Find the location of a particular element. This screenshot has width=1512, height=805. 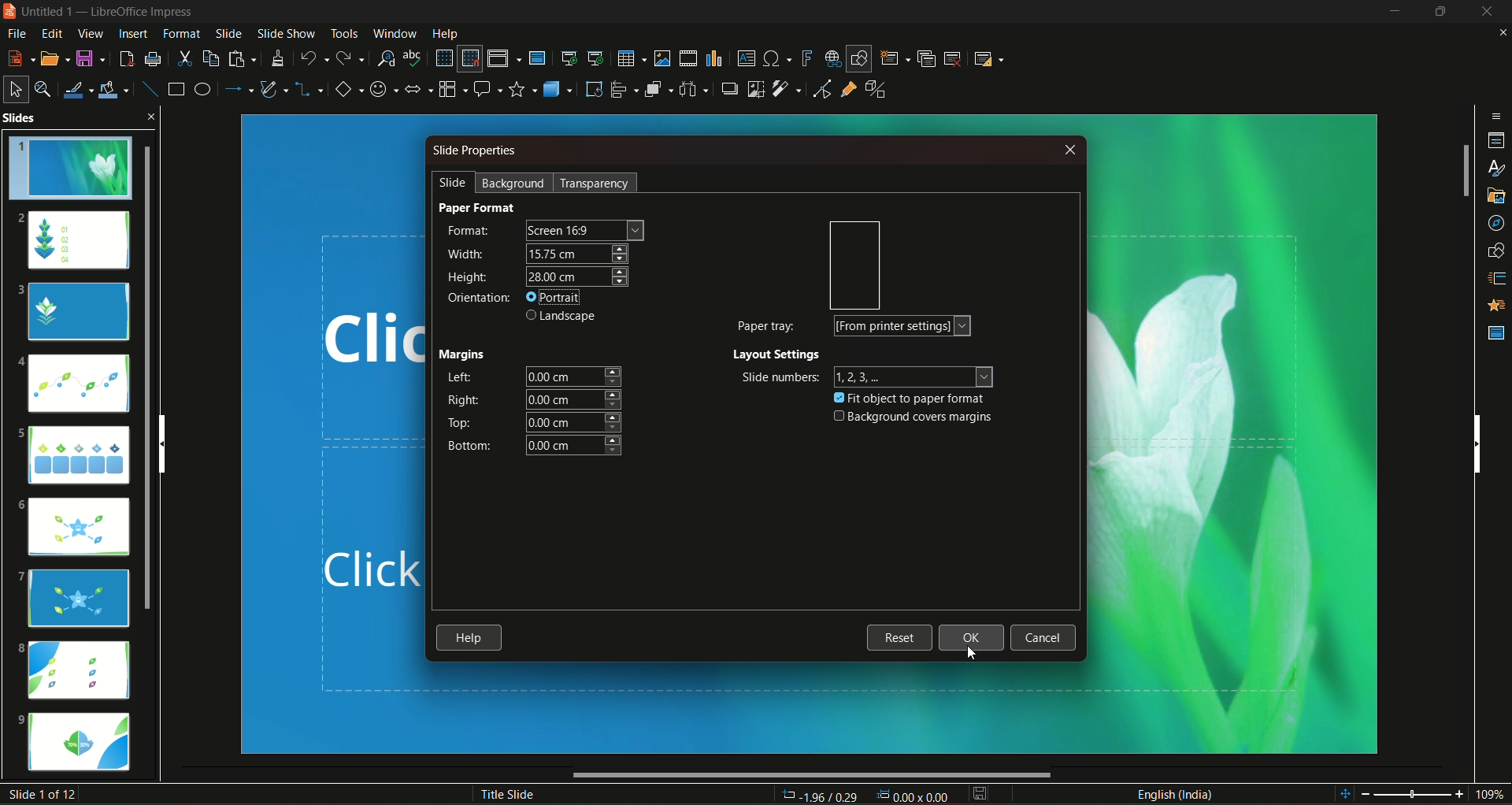

form printer settings is located at coordinates (903, 326).